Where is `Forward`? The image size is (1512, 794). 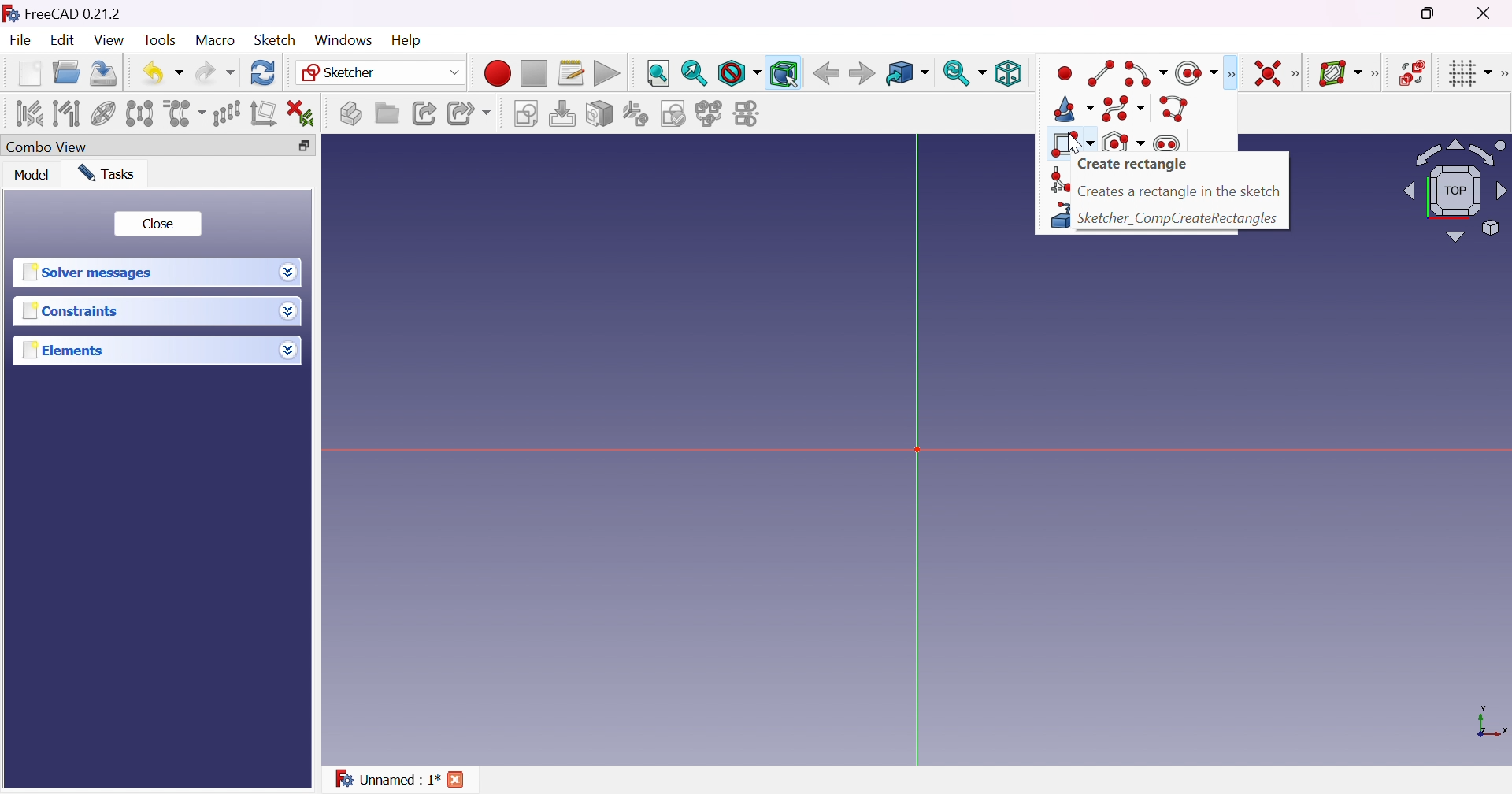
Forward is located at coordinates (862, 74).